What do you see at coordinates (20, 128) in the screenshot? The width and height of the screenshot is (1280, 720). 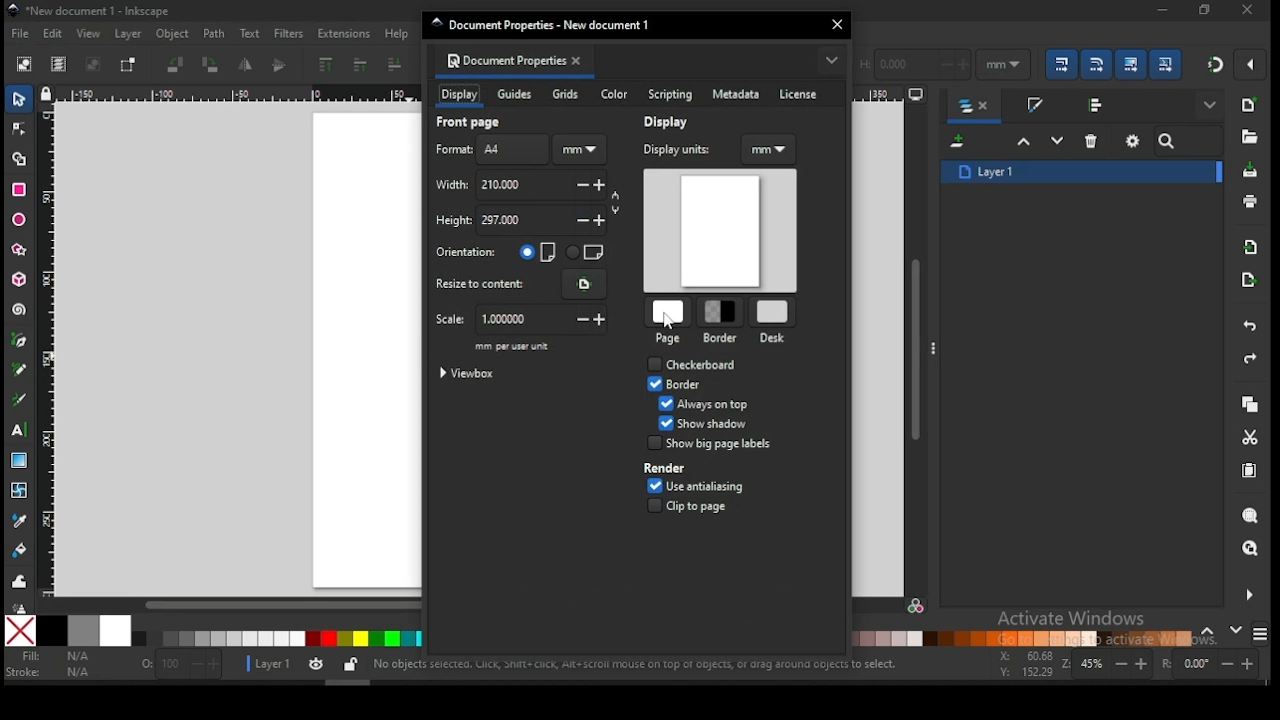 I see `node tool` at bounding box center [20, 128].